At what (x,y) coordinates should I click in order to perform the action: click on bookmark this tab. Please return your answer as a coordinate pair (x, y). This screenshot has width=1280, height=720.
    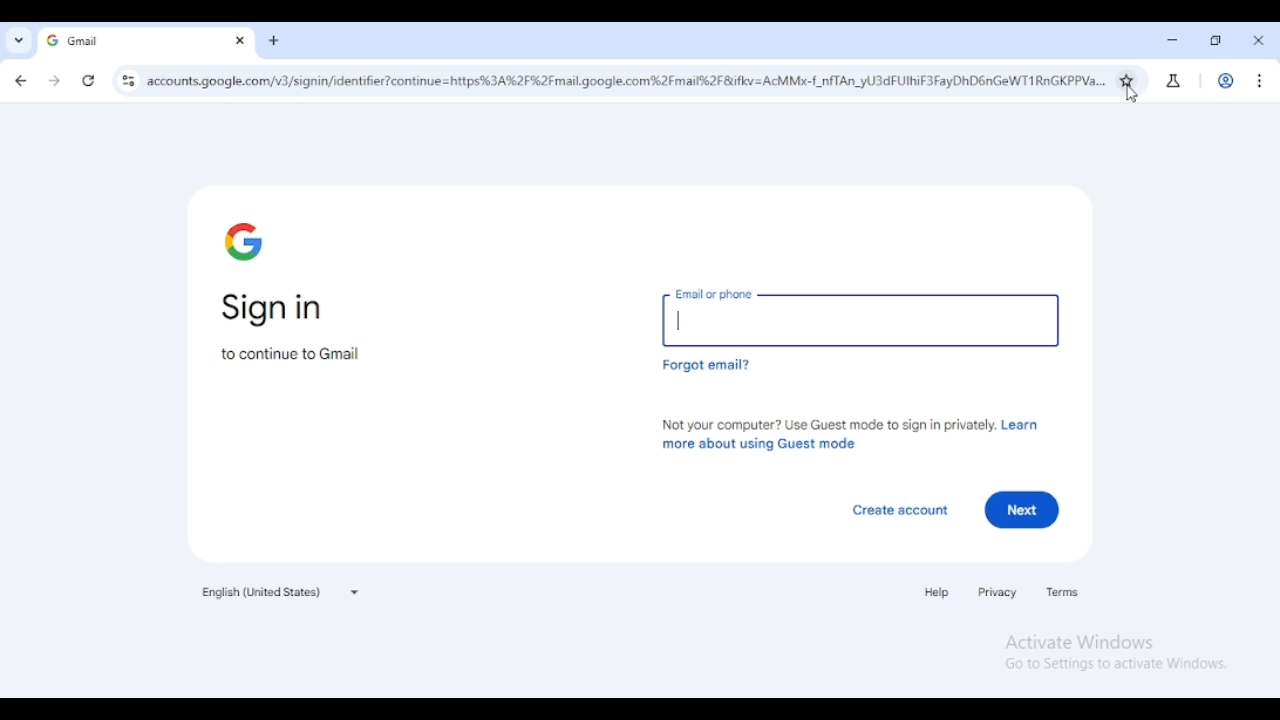
    Looking at the image, I should click on (1127, 80).